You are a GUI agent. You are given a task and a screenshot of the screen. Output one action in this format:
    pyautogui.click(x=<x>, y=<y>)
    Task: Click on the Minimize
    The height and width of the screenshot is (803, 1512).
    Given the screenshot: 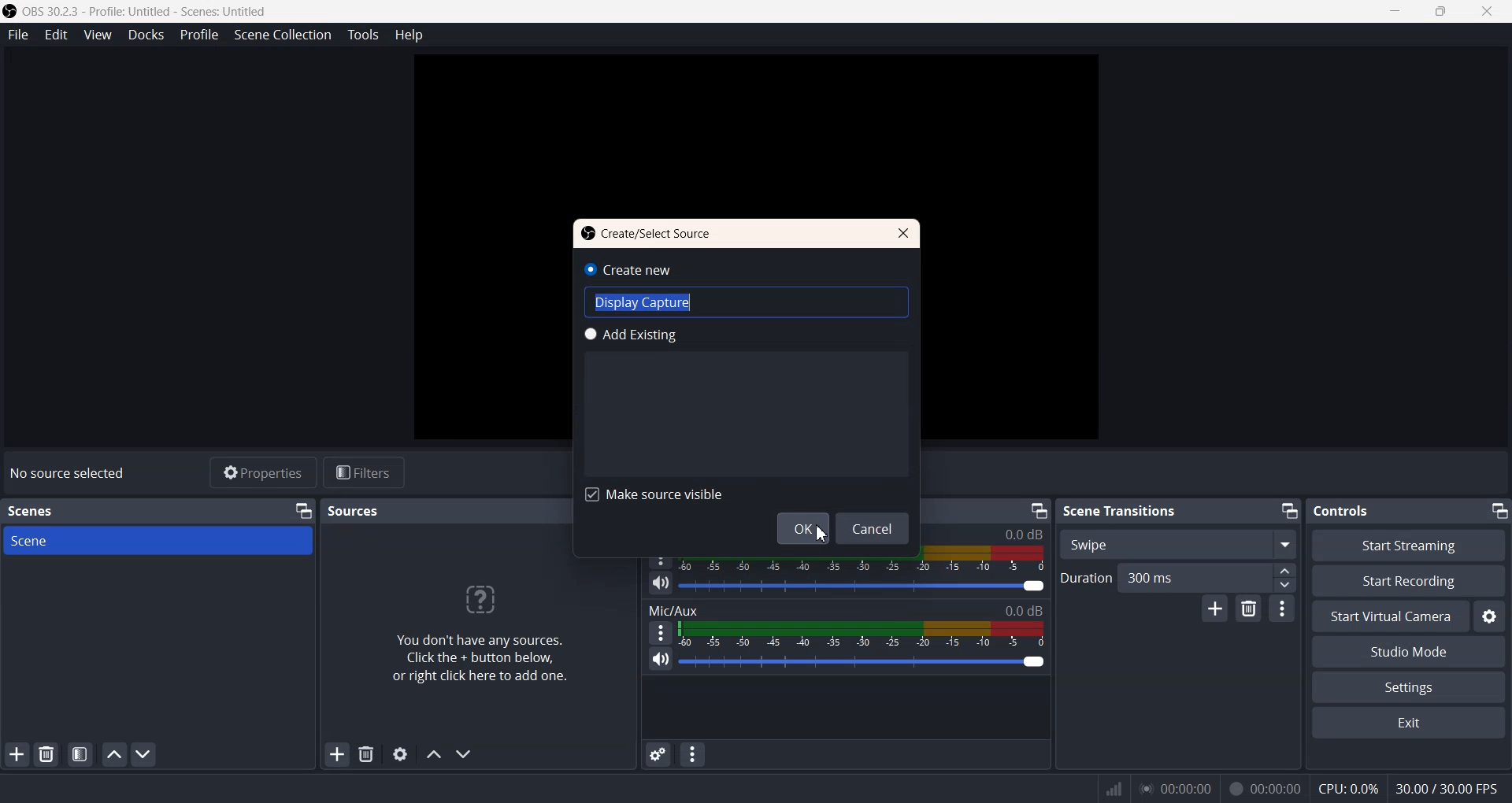 What is the action you would take?
    pyautogui.click(x=1287, y=511)
    